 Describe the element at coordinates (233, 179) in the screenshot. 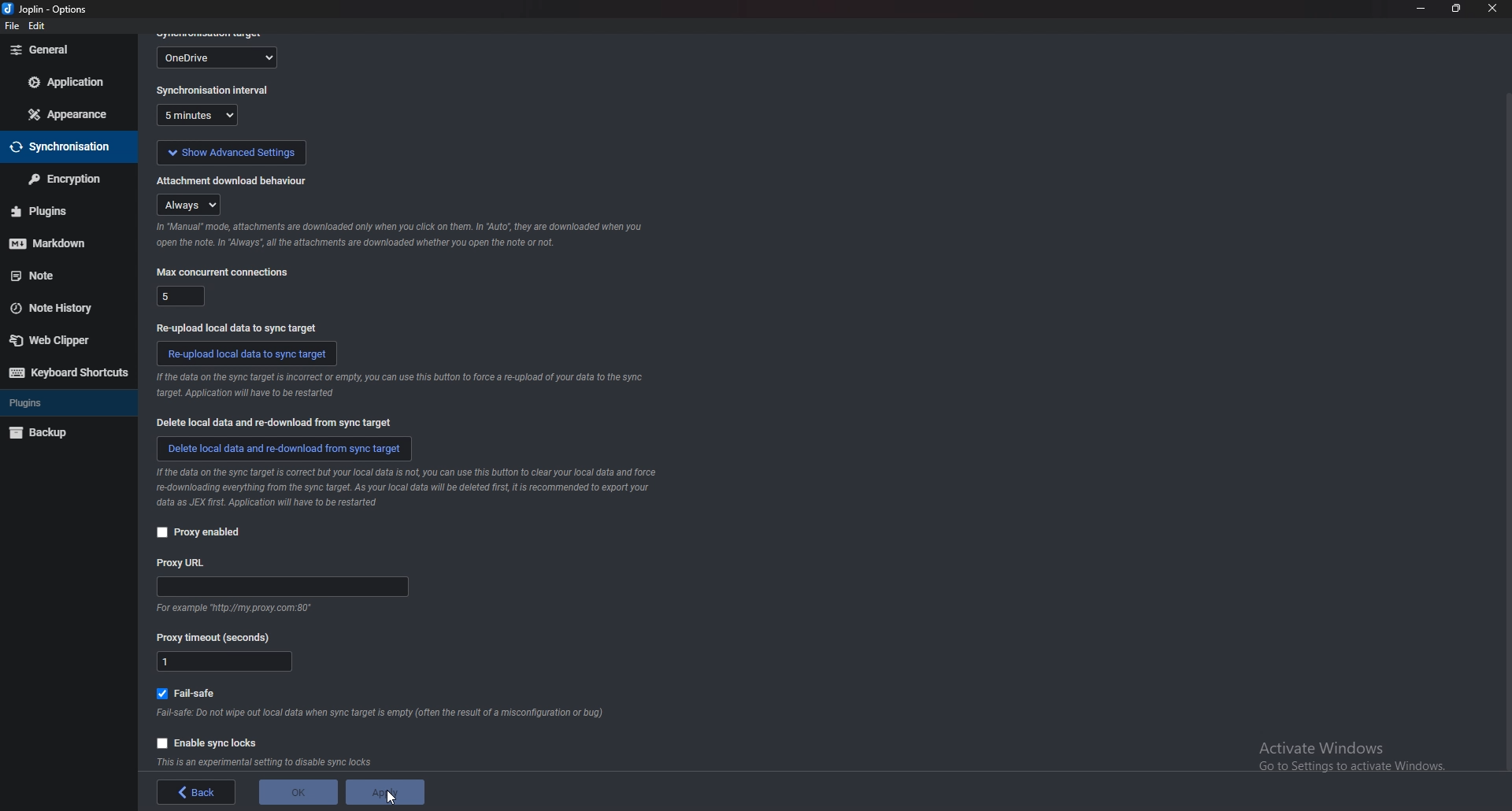

I see `attachment download behaviour` at that location.